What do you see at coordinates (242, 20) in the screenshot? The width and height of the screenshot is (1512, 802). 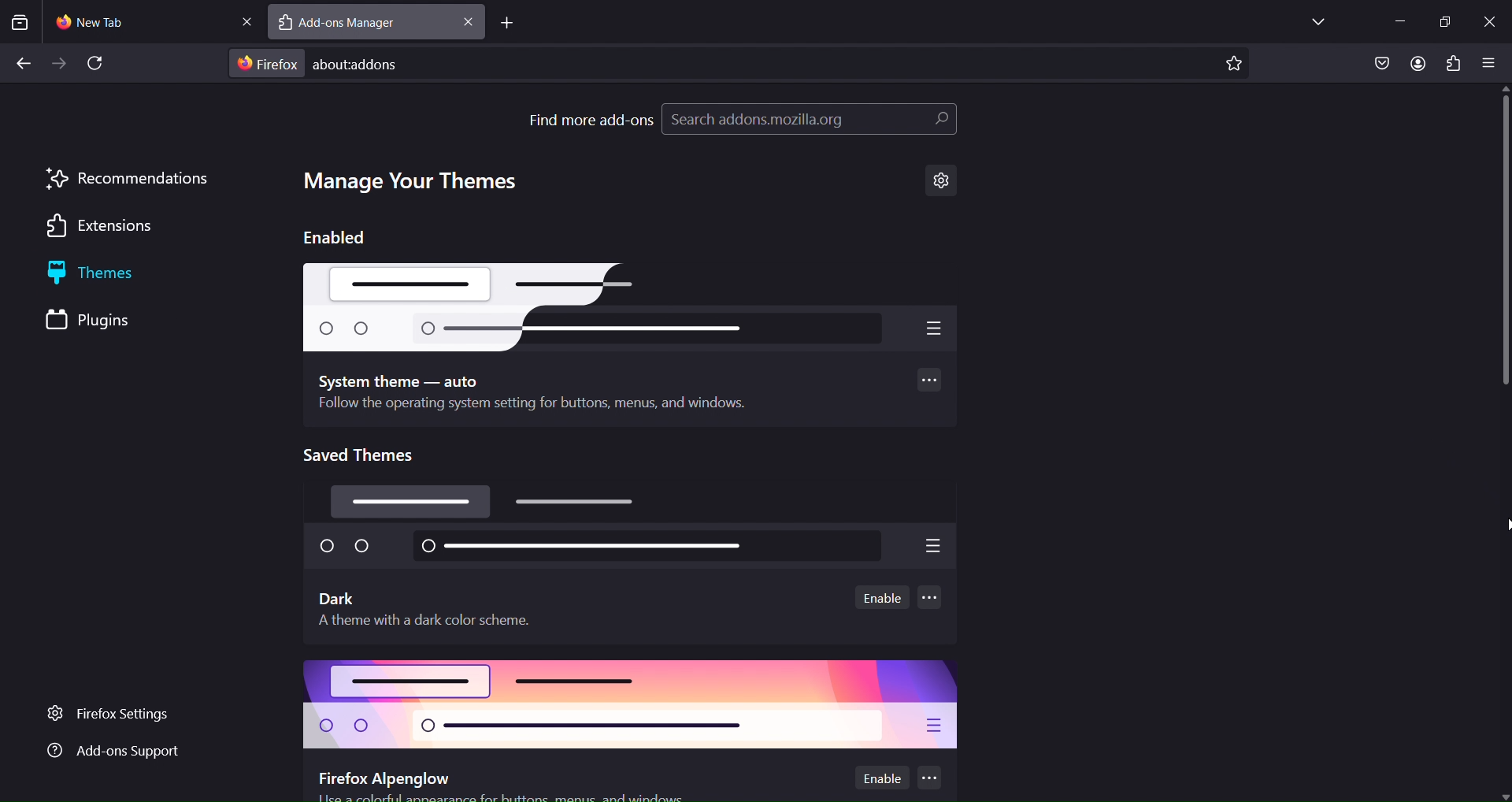 I see `close` at bounding box center [242, 20].